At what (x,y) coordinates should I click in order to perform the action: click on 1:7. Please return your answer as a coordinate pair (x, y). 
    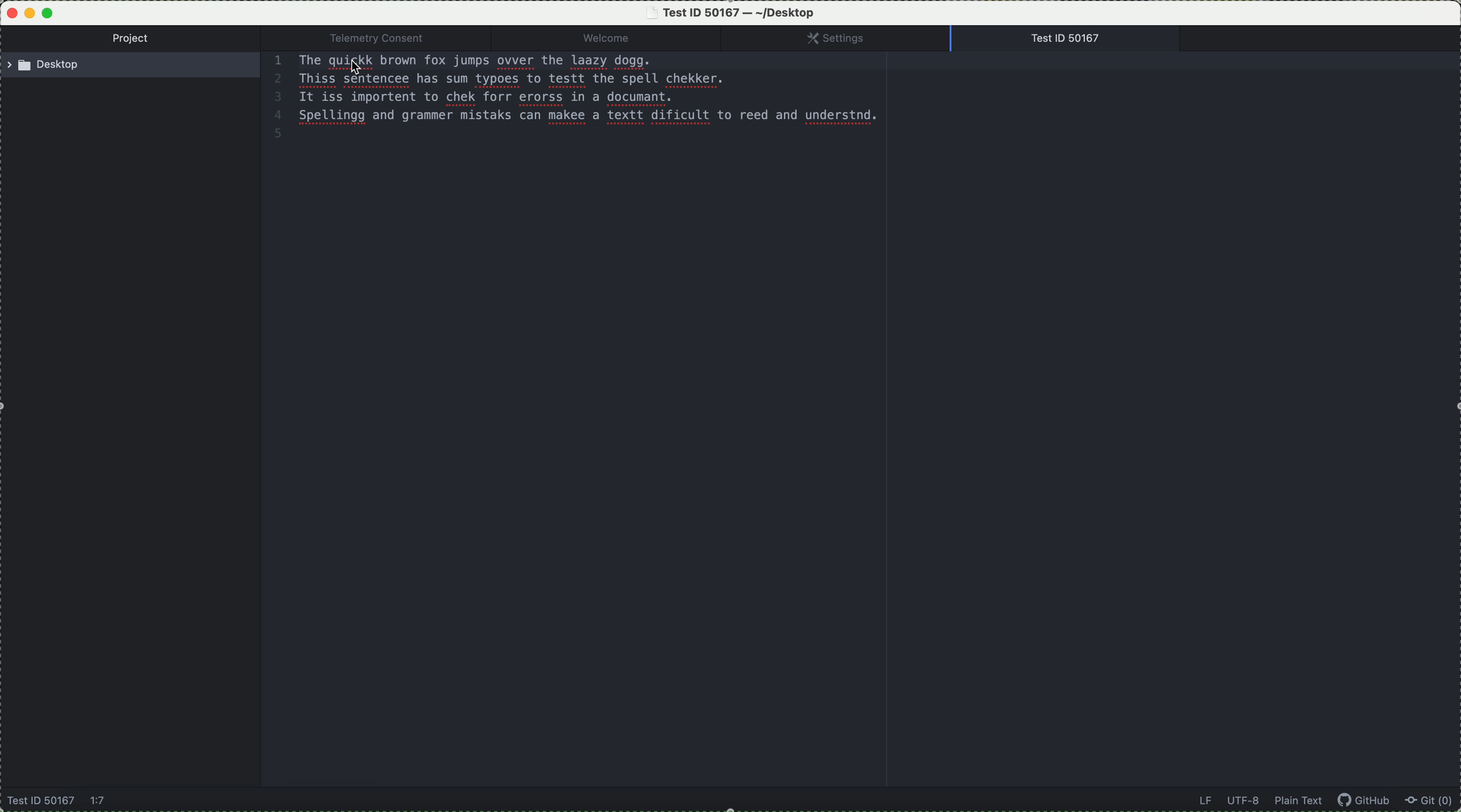
    Looking at the image, I should click on (99, 802).